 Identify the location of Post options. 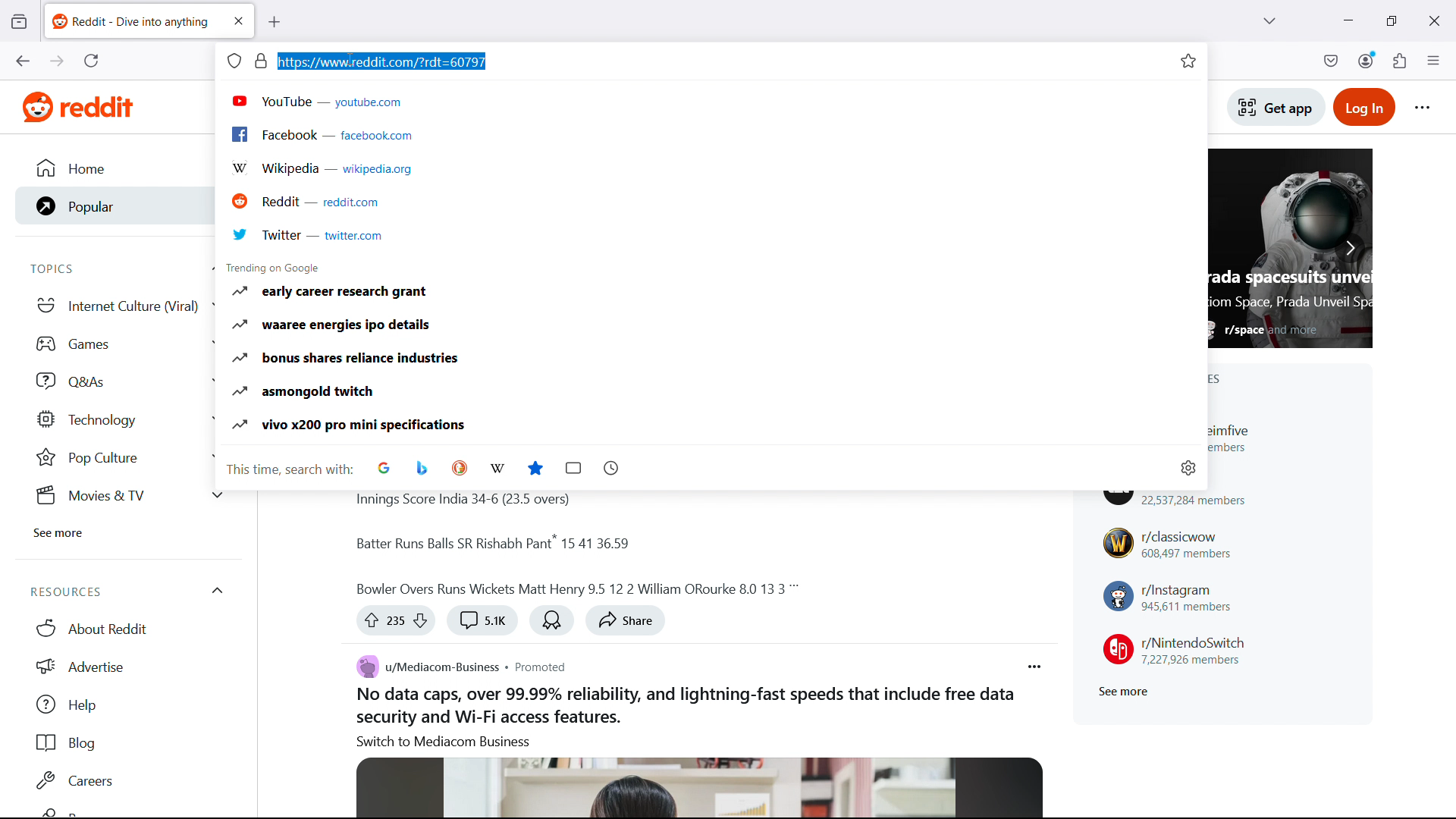
(1035, 667).